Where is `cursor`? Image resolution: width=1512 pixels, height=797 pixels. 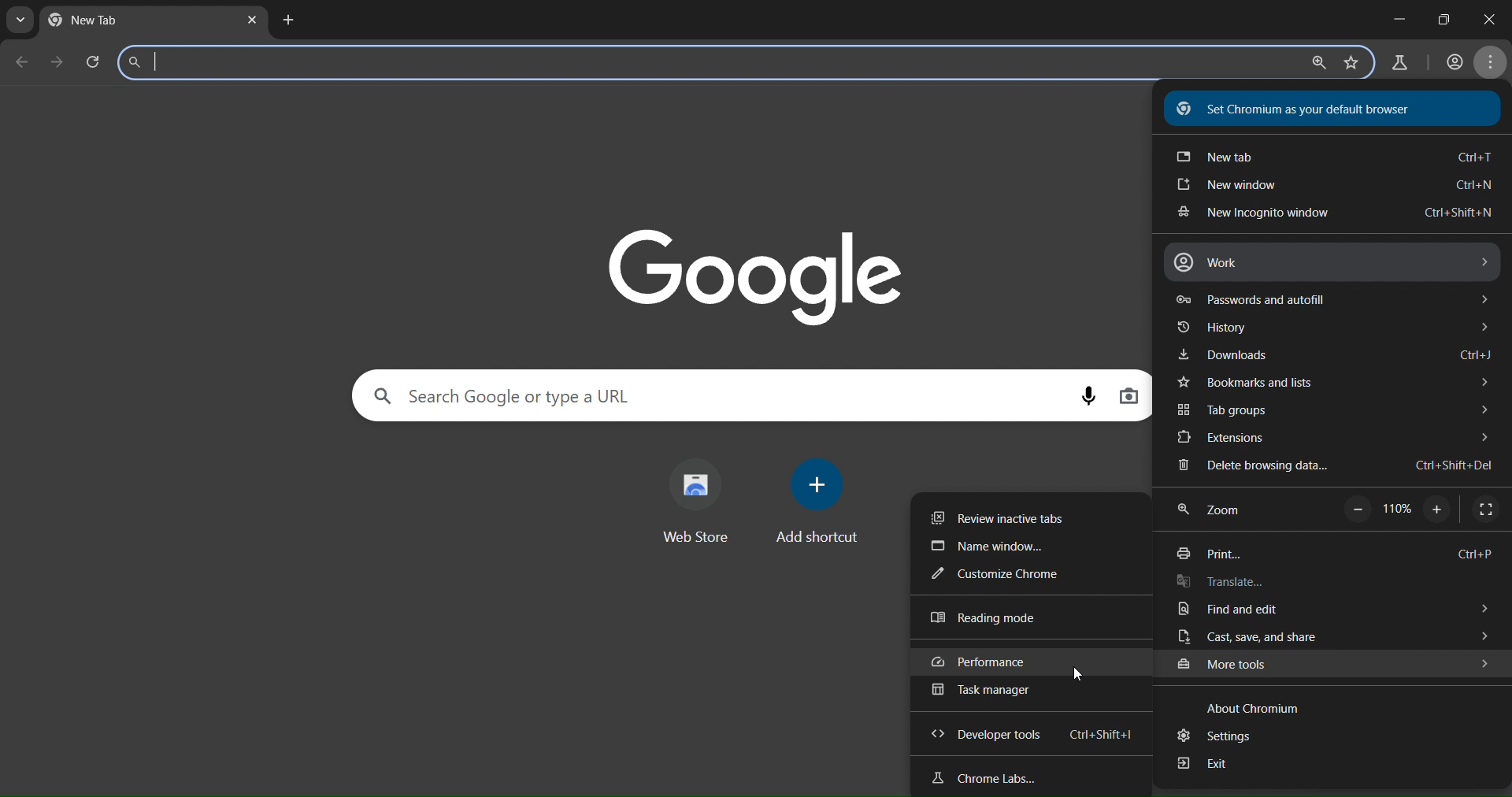
cursor is located at coordinates (1347, 662).